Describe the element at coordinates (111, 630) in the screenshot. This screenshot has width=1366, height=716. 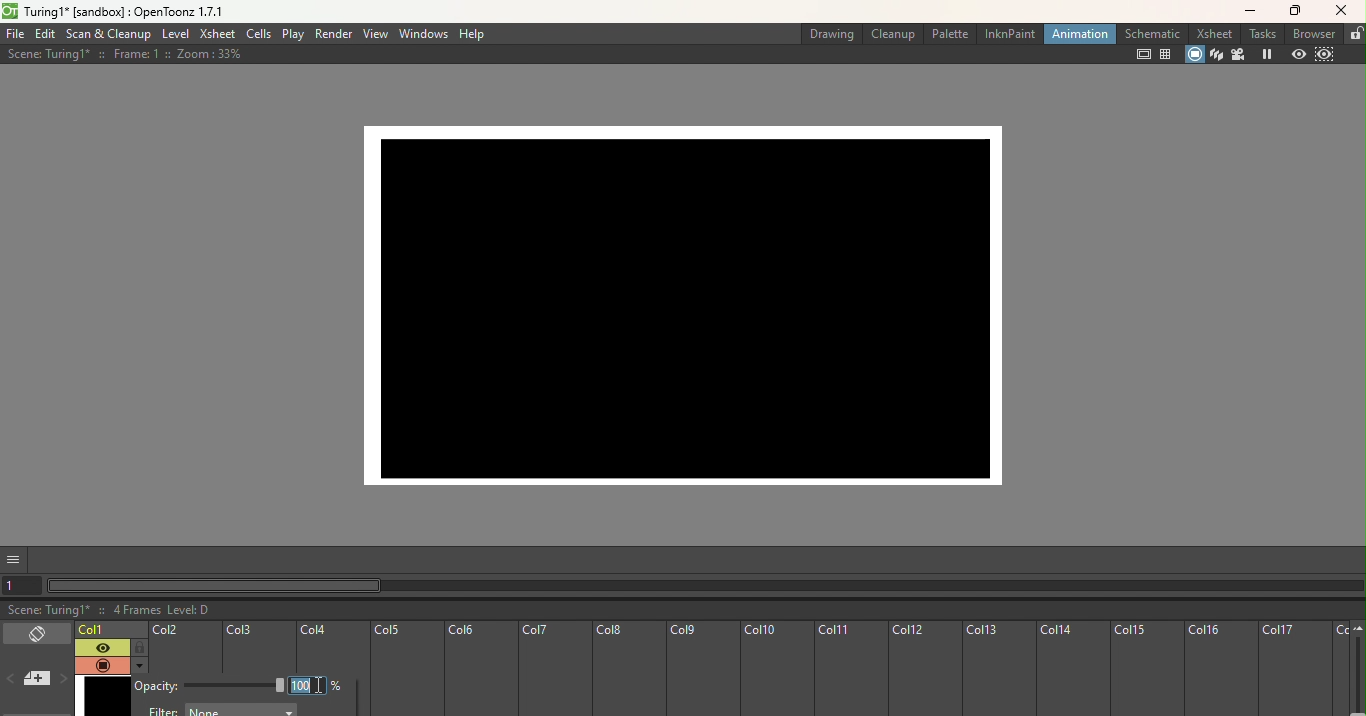
I see `Click to select the current frame` at that location.